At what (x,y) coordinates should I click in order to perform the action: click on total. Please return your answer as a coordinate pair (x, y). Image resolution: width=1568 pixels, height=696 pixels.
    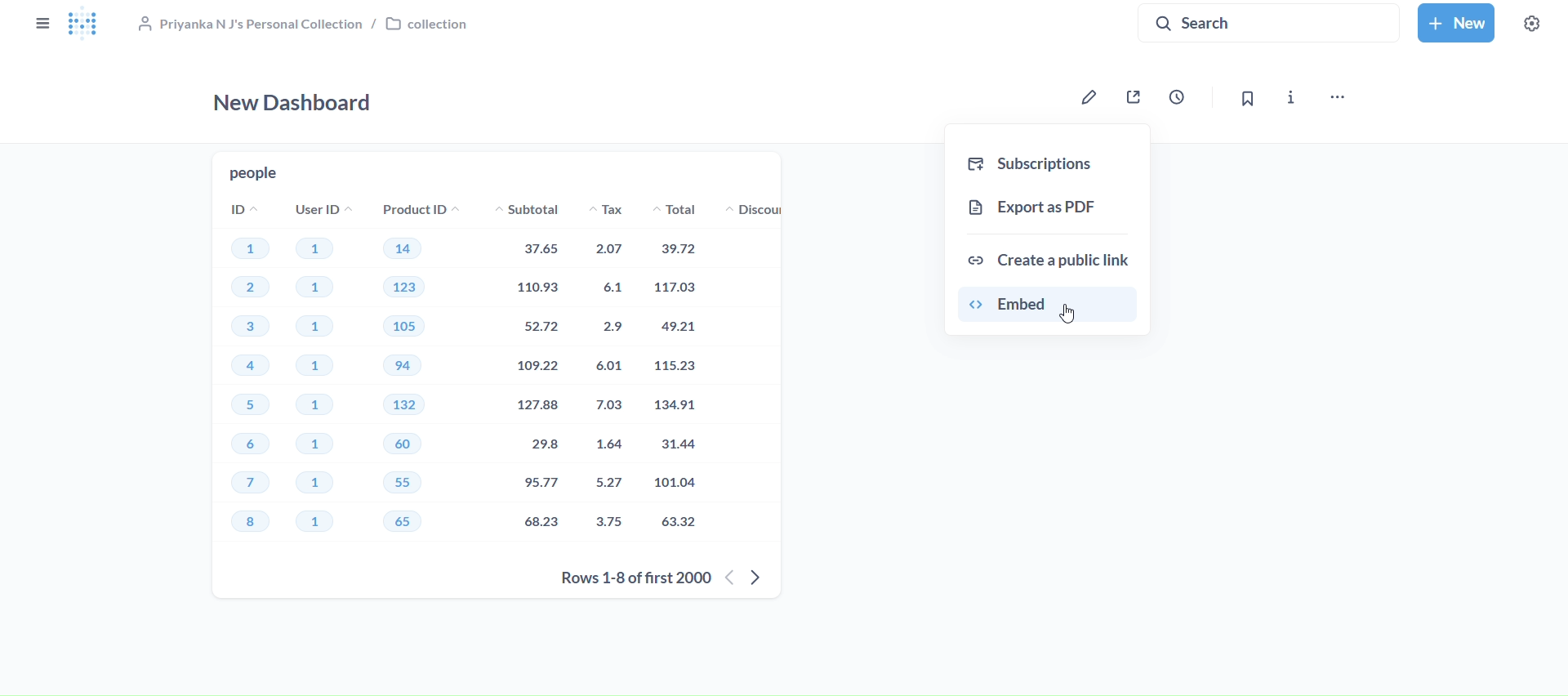
    Looking at the image, I should click on (682, 374).